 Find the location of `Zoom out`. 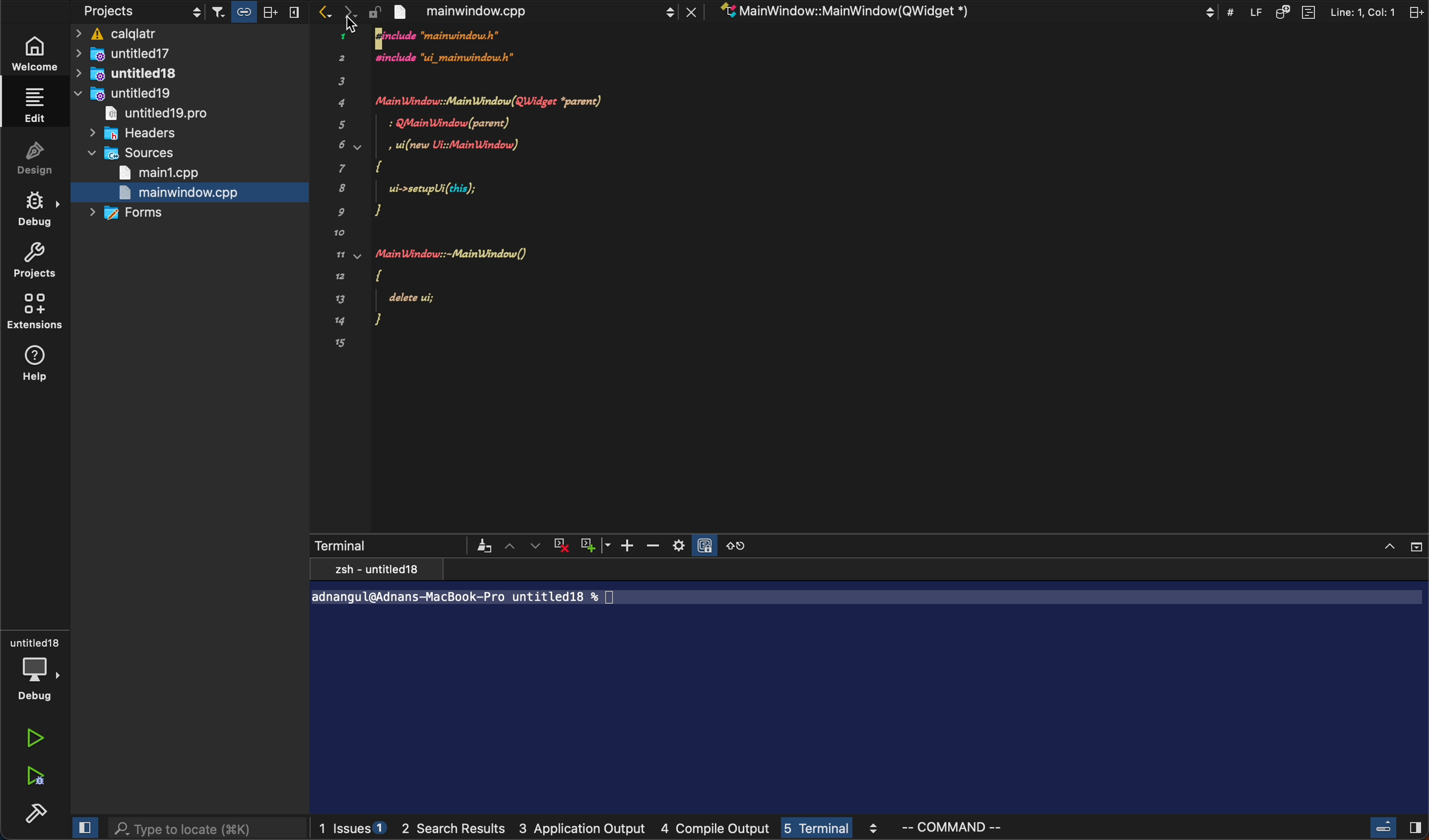

Zoom out is located at coordinates (655, 547).